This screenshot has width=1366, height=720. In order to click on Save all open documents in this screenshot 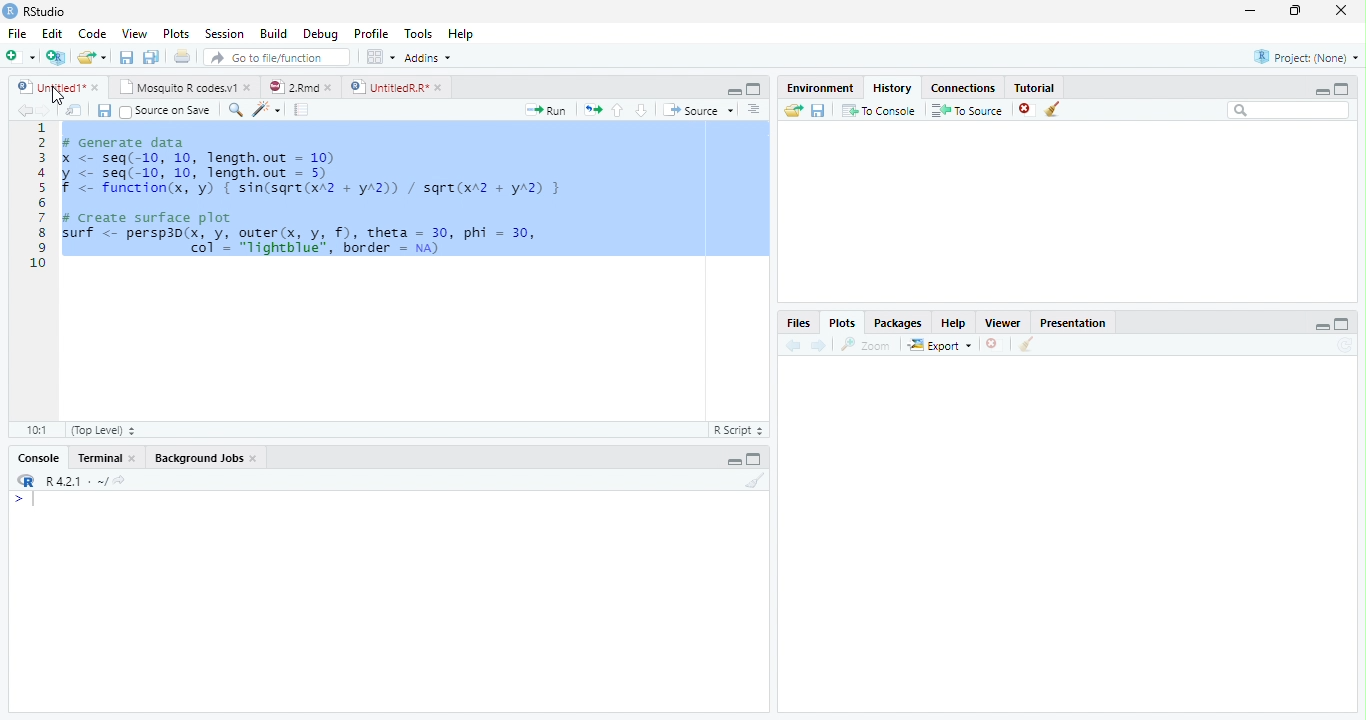, I will do `click(150, 56)`.